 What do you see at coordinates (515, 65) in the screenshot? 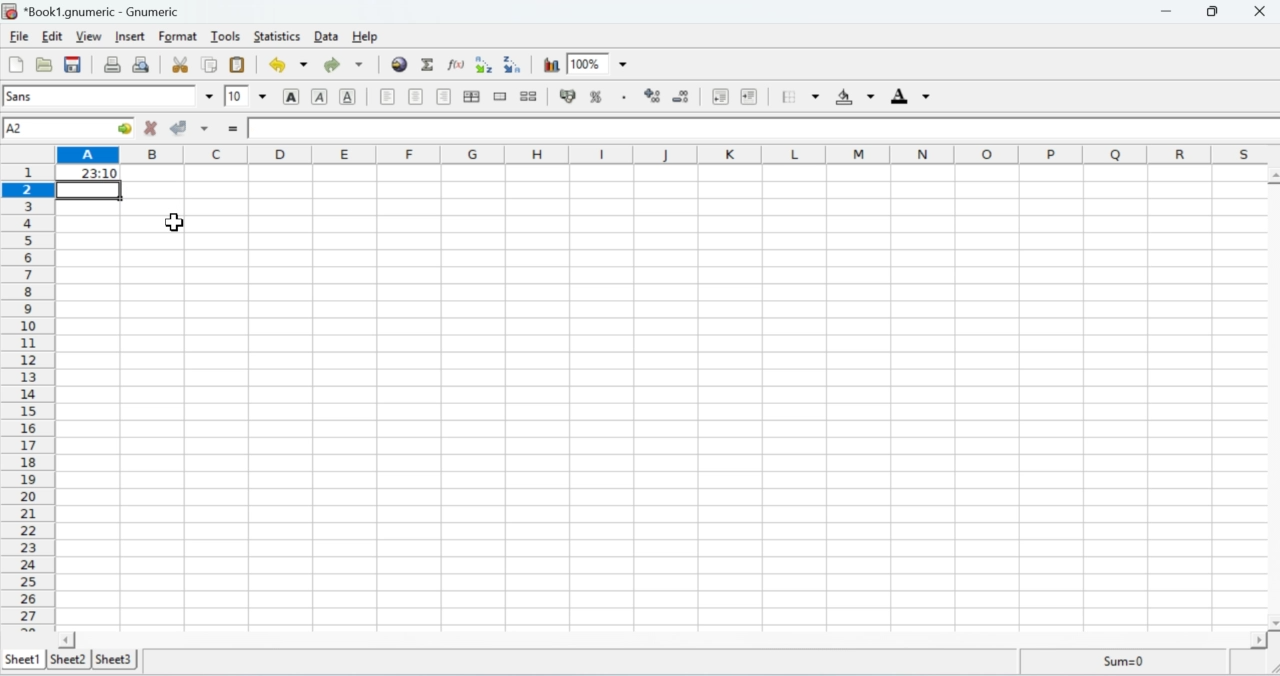
I see `Sort by descending` at bounding box center [515, 65].